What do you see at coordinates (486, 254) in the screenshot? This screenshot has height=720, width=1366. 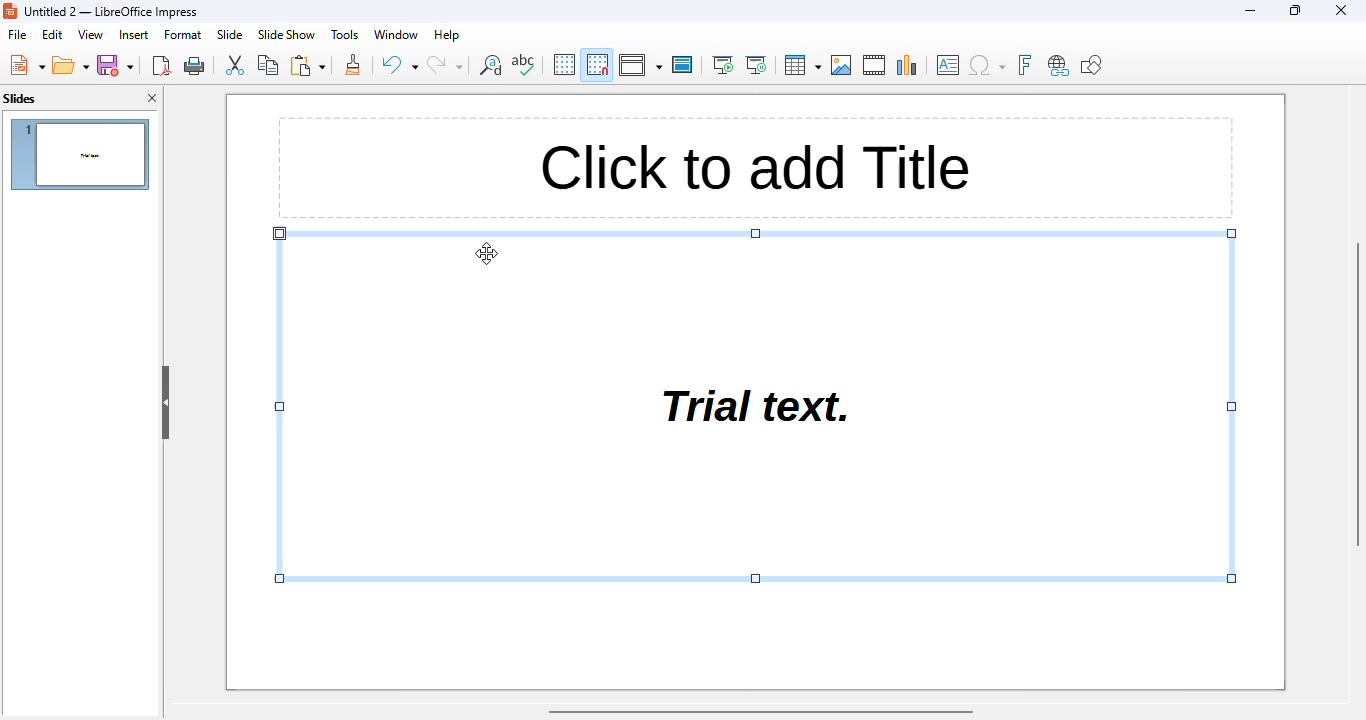 I see `cursor` at bounding box center [486, 254].